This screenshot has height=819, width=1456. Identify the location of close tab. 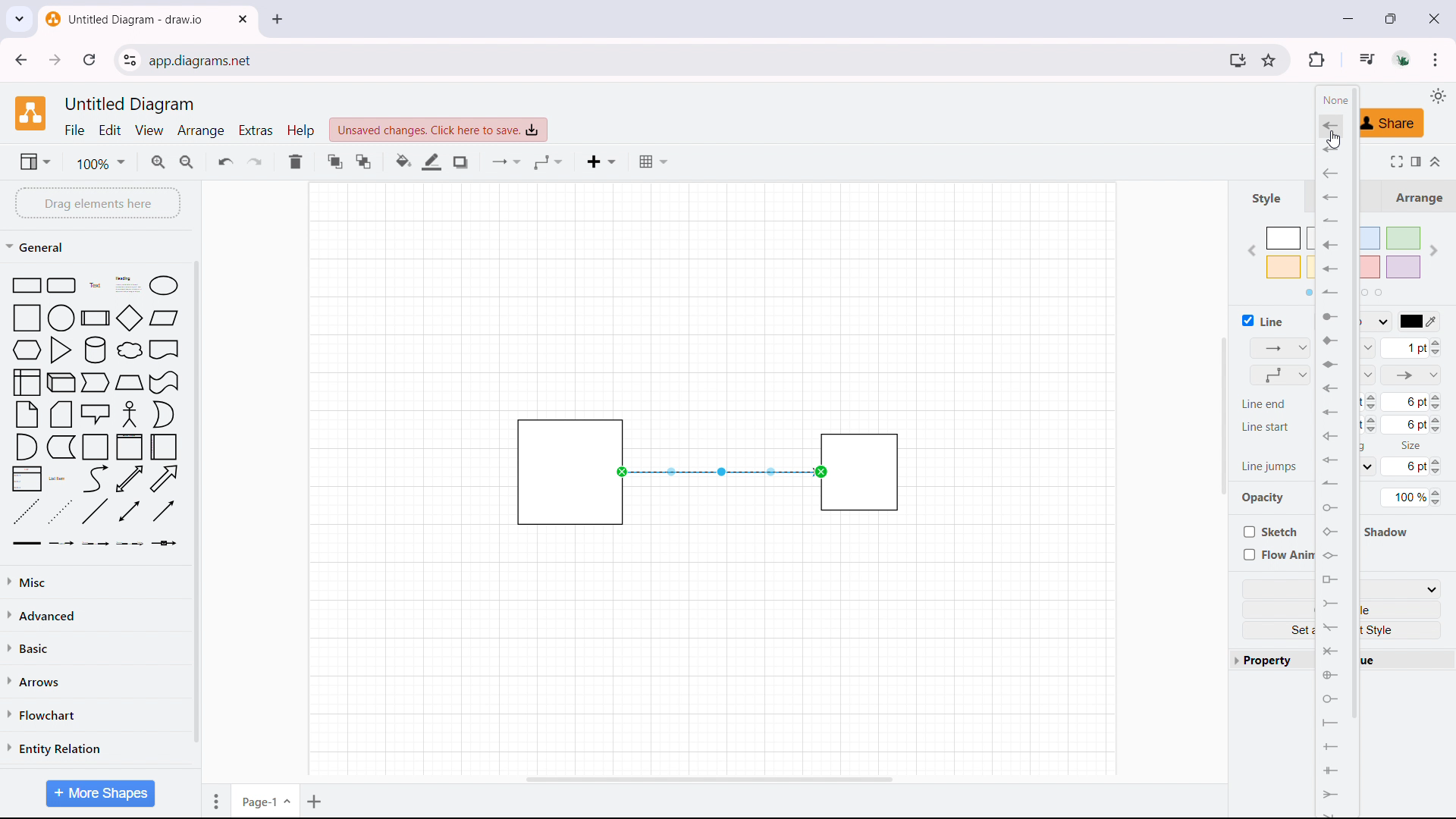
(243, 19).